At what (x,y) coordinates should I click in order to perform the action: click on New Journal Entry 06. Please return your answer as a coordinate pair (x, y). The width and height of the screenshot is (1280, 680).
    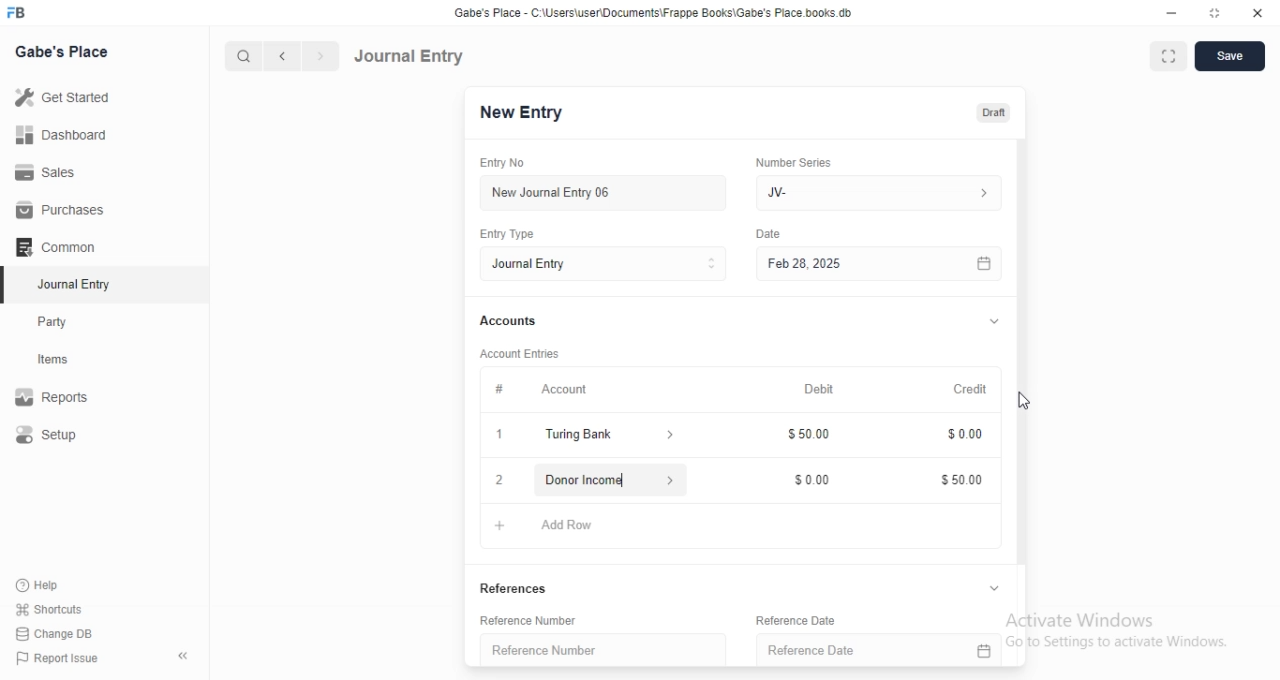
    Looking at the image, I should click on (597, 191).